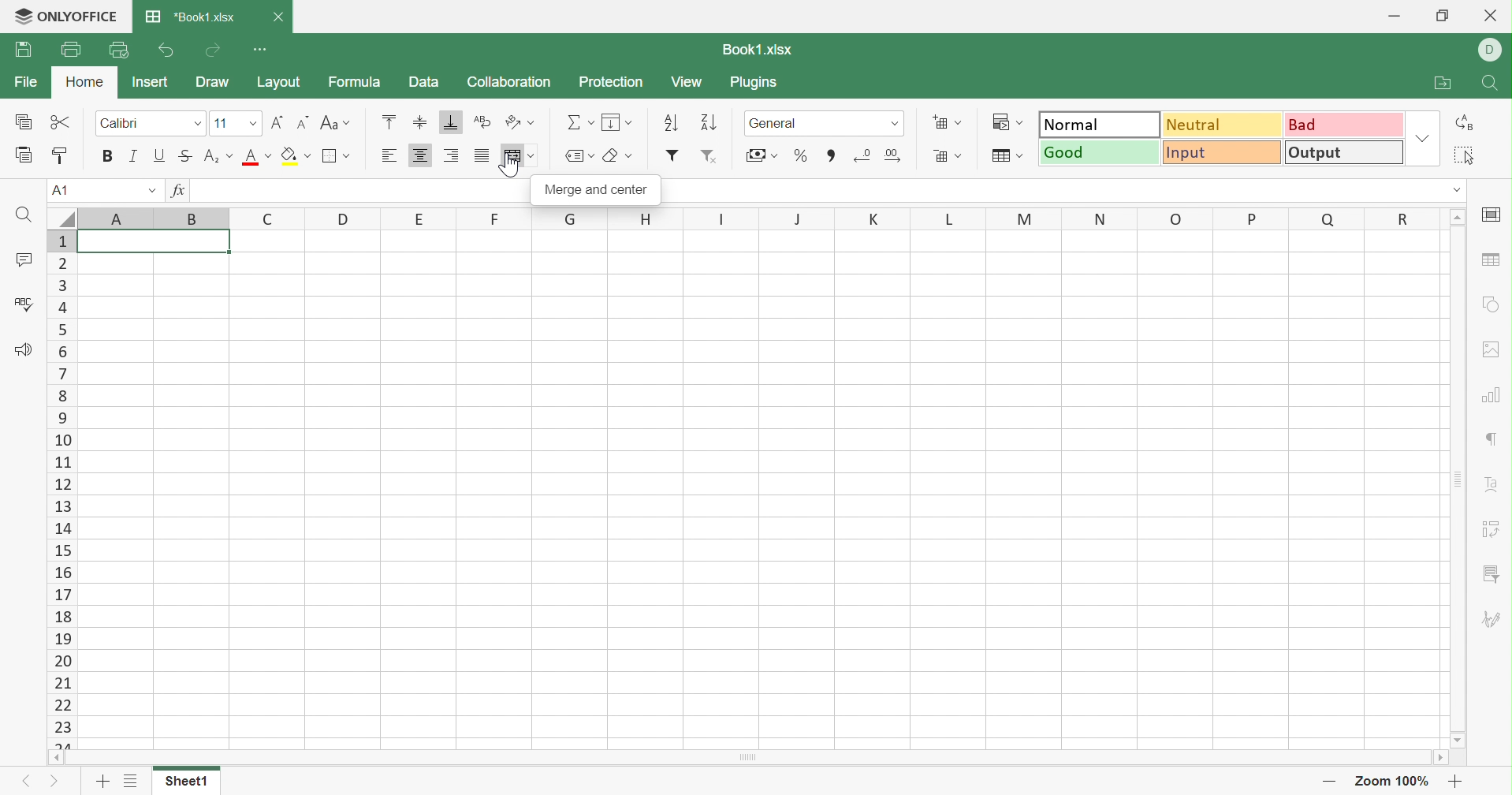 The height and width of the screenshot is (795, 1512). I want to click on Scroll Left, so click(54, 756).